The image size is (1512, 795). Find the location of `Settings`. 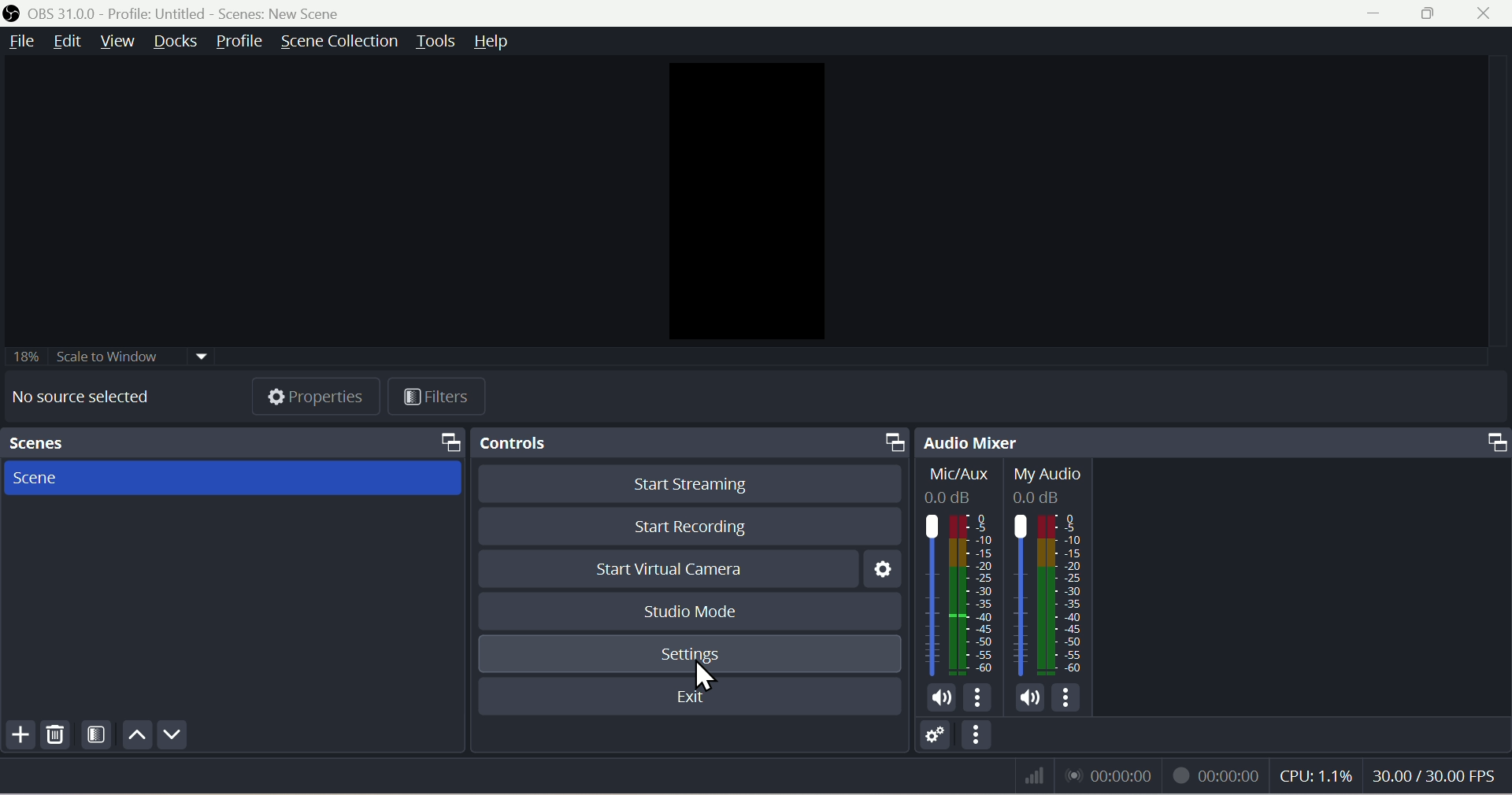

Settings is located at coordinates (935, 738).